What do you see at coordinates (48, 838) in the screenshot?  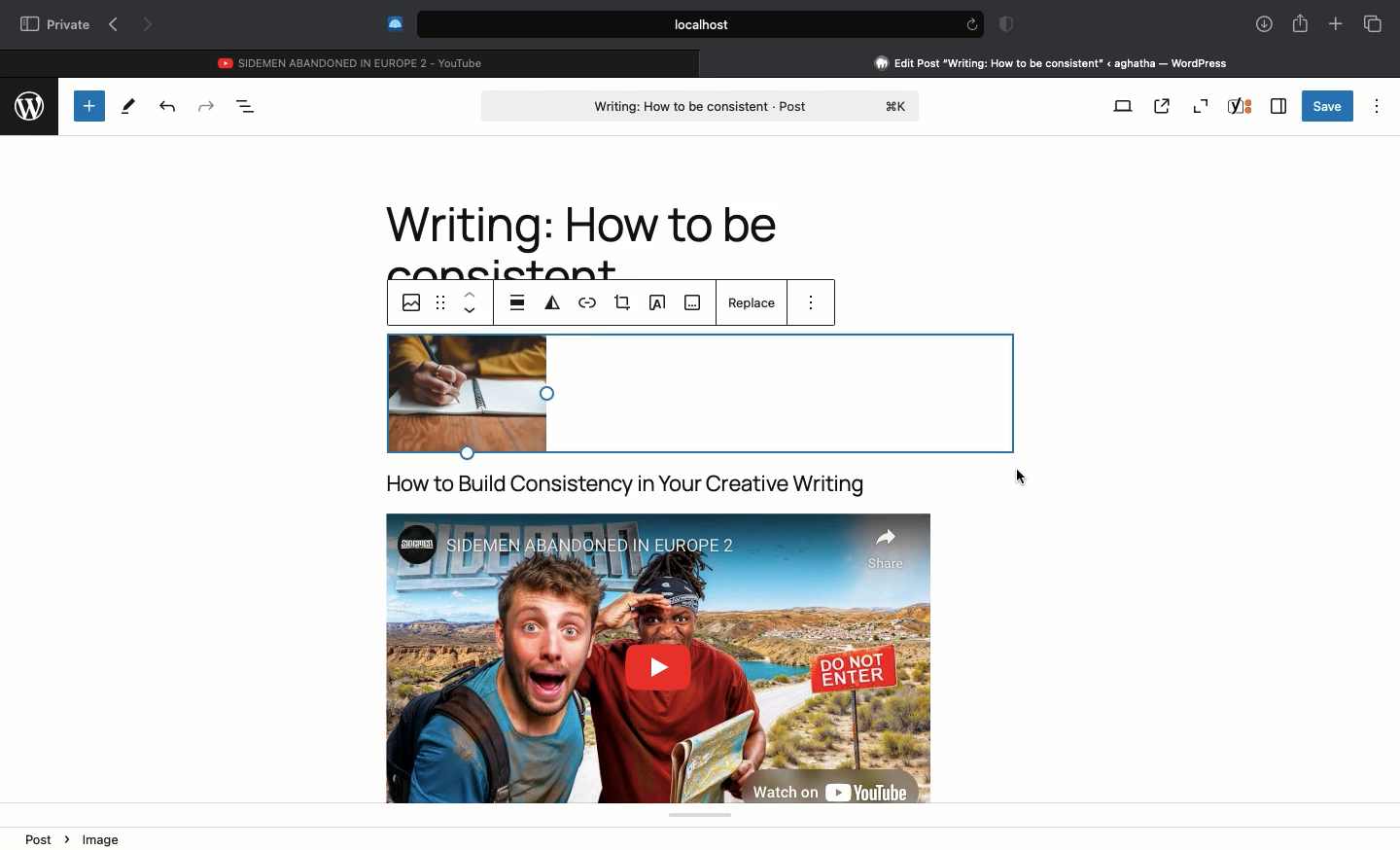 I see `Post >` at bounding box center [48, 838].